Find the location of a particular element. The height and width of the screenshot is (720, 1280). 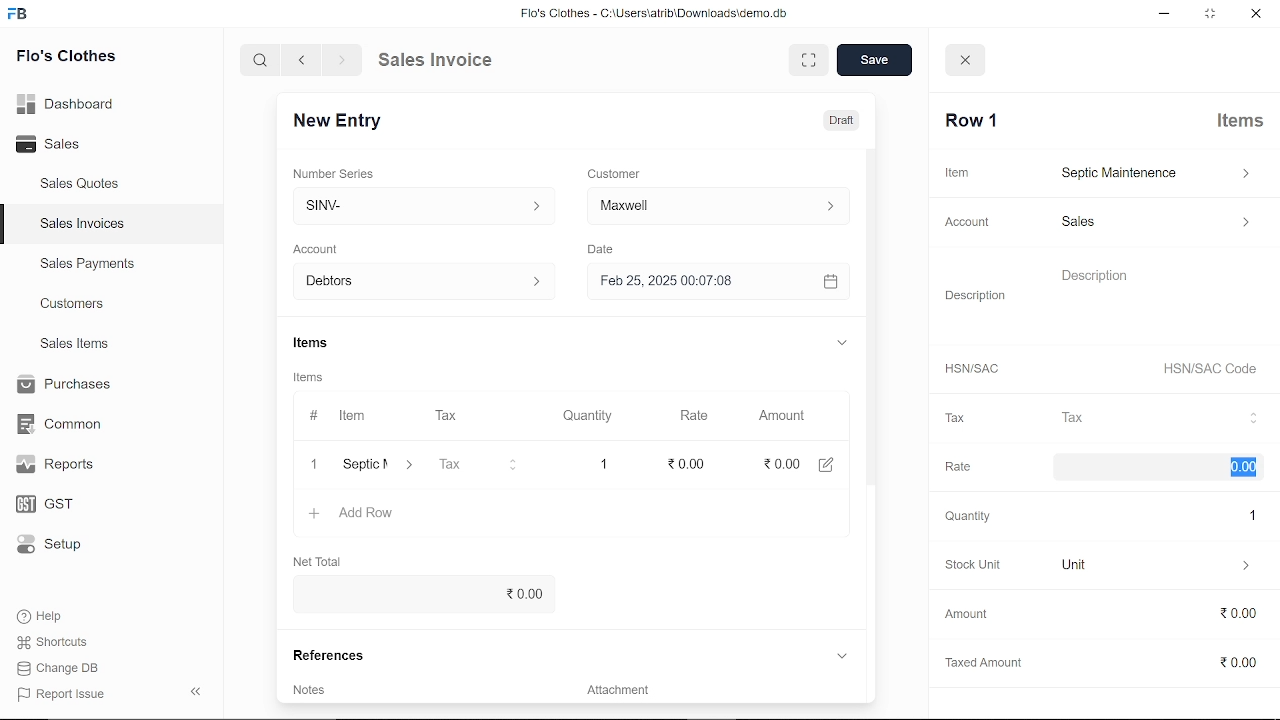

‘Account is located at coordinates (326, 247).